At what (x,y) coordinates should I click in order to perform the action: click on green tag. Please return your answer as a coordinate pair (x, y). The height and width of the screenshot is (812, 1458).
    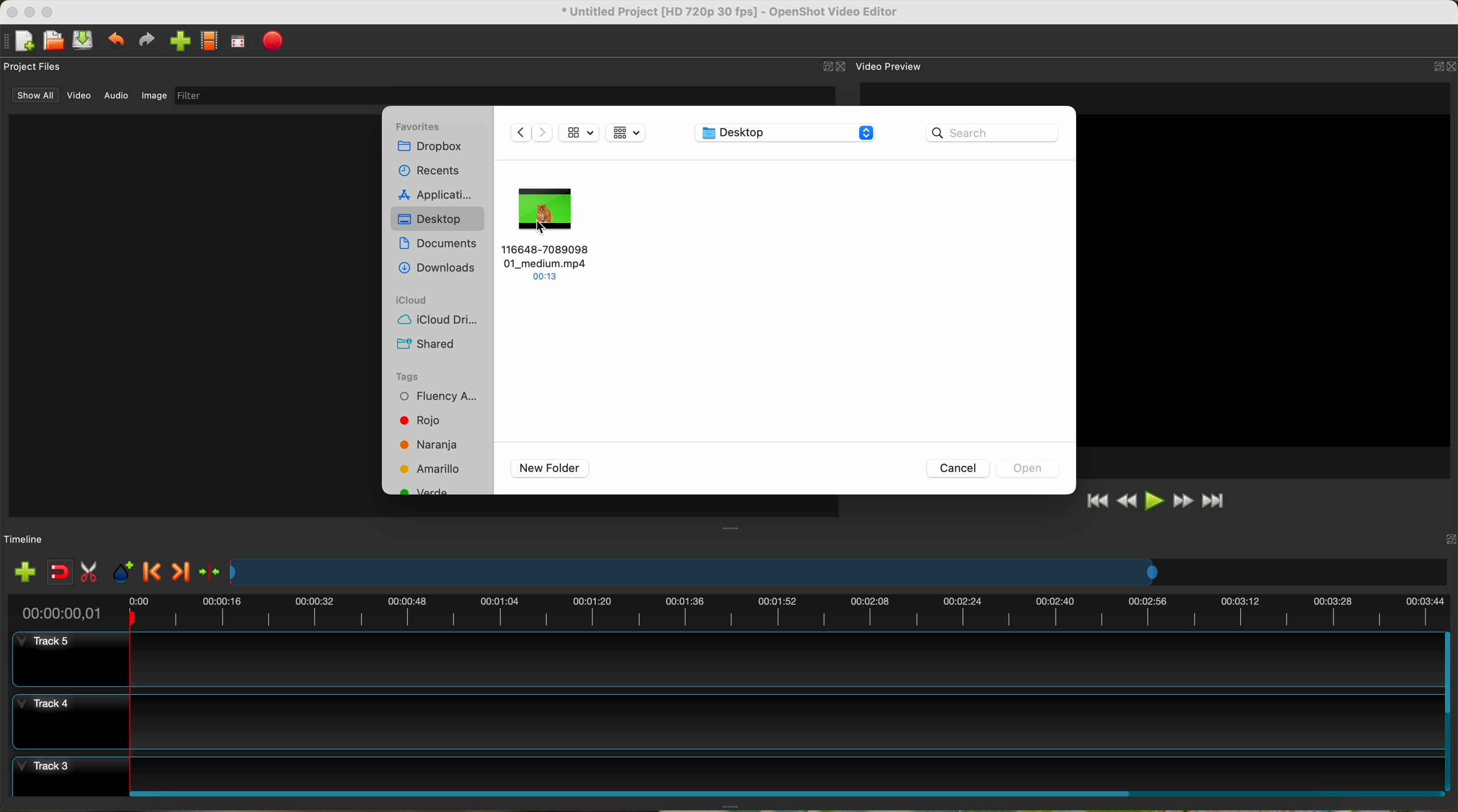
    Looking at the image, I should click on (427, 492).